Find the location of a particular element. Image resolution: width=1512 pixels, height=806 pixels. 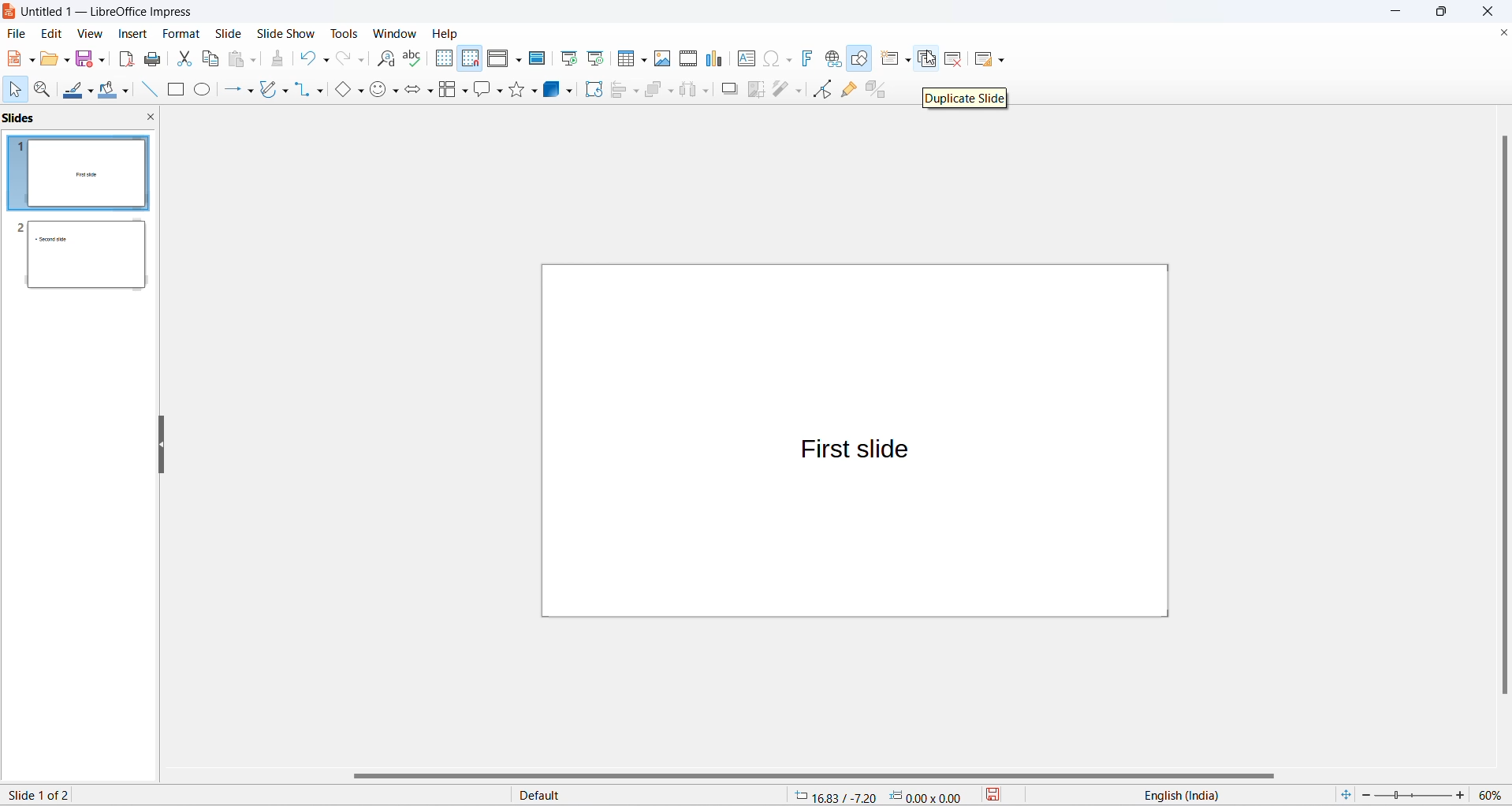

save options is located at coordinates (105, 60).